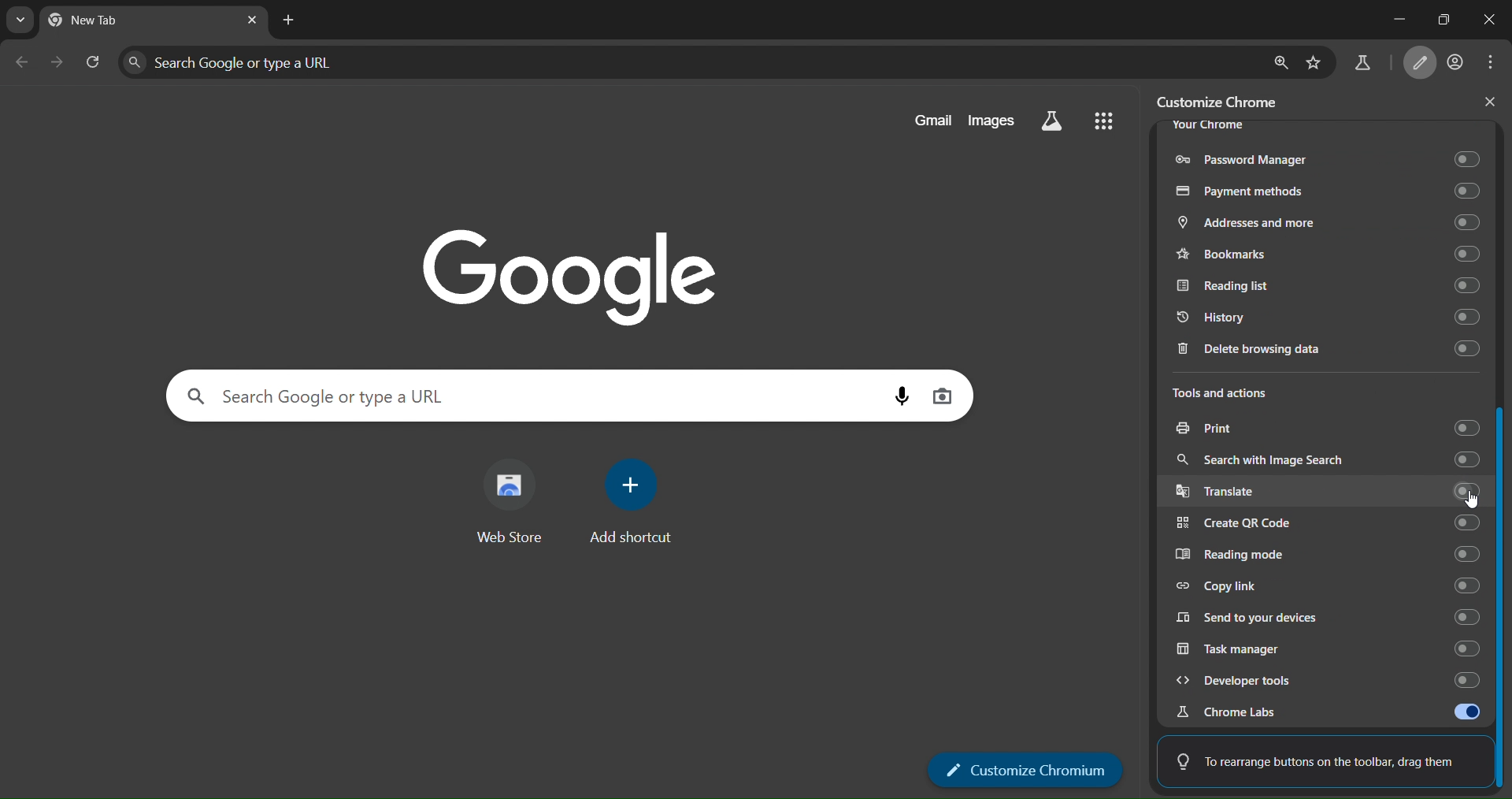 Image resolution: width=1512 pixels, height=799 pixels. Describe the element at coordinates (1323, 284) in the screenshot. I see `Reading list` at that location.